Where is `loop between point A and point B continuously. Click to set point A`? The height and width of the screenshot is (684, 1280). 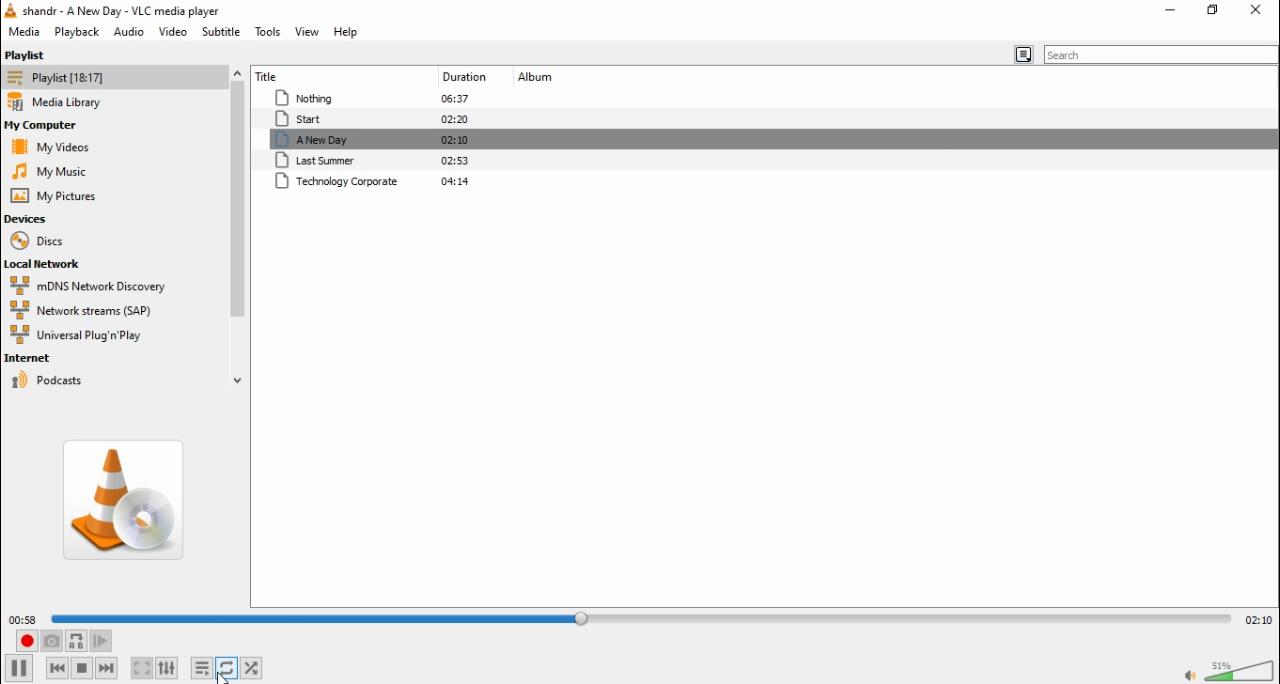 loop between point A and point B continuously. Click to set point A is located at coordinates (77, 640).